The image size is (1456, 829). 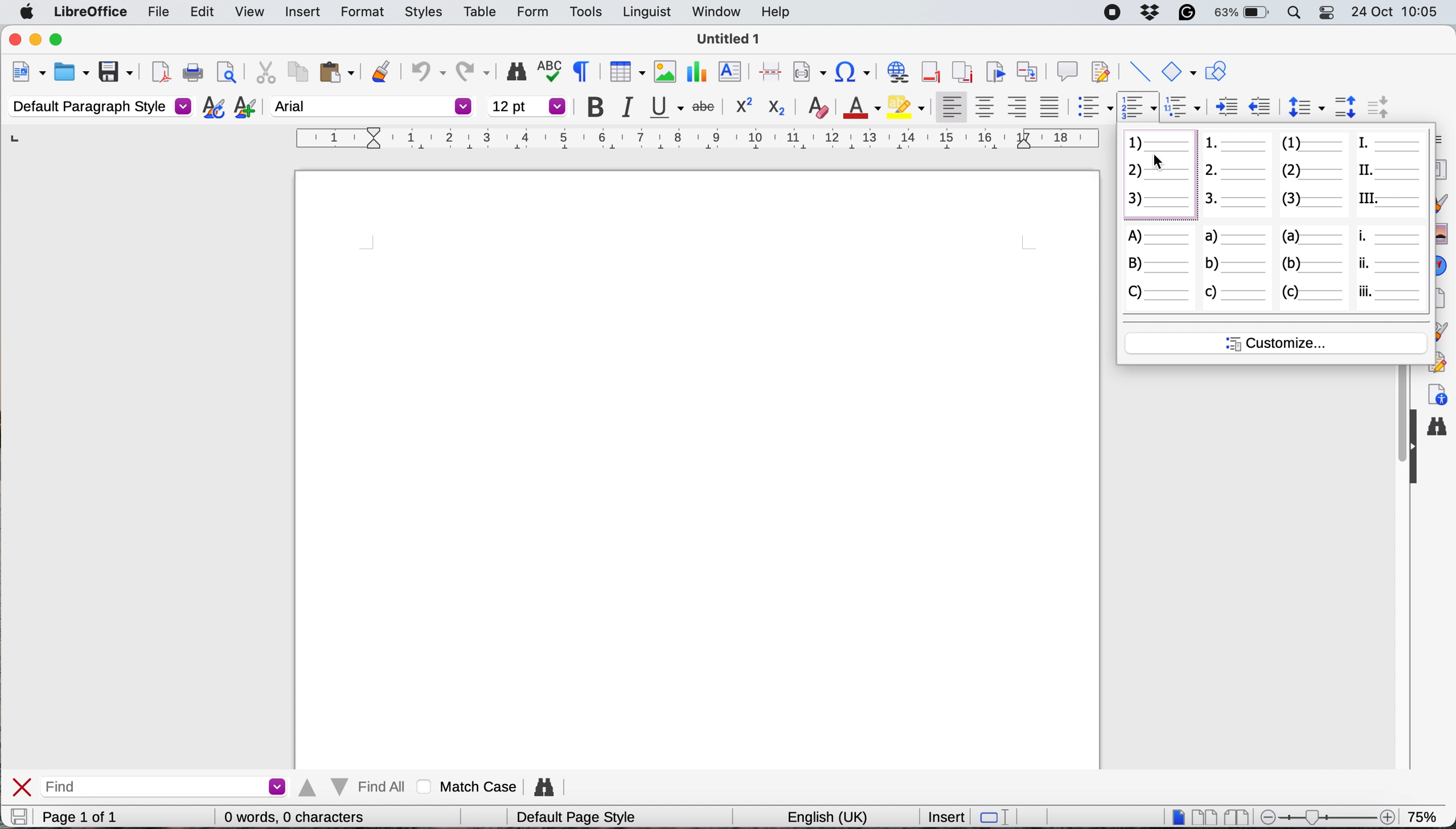 I want to click on font, so click(x=372, y=106).